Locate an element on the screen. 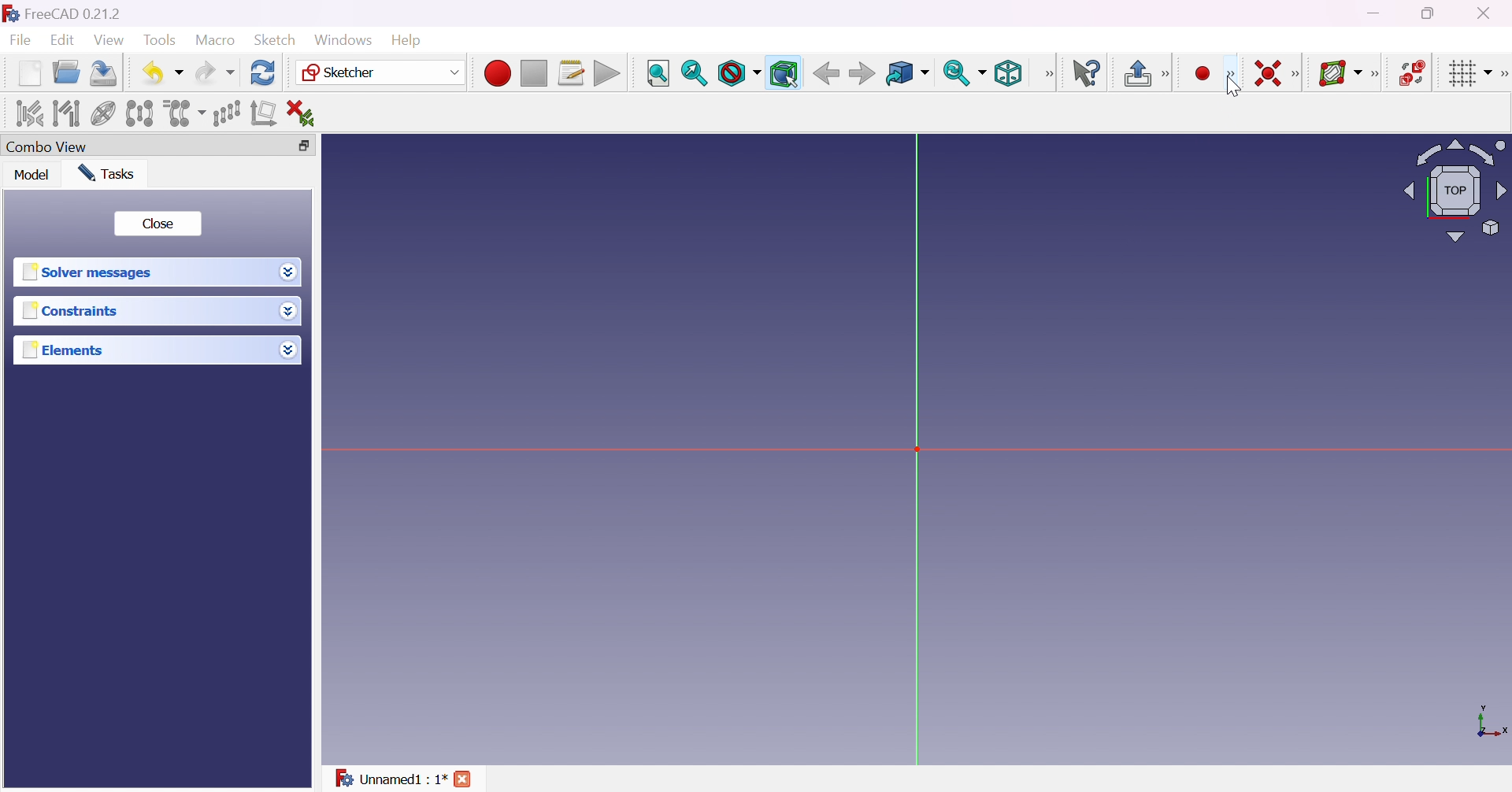 The height and width of the screenshot is (792, 1512). New is located at coordinates (30, 72).